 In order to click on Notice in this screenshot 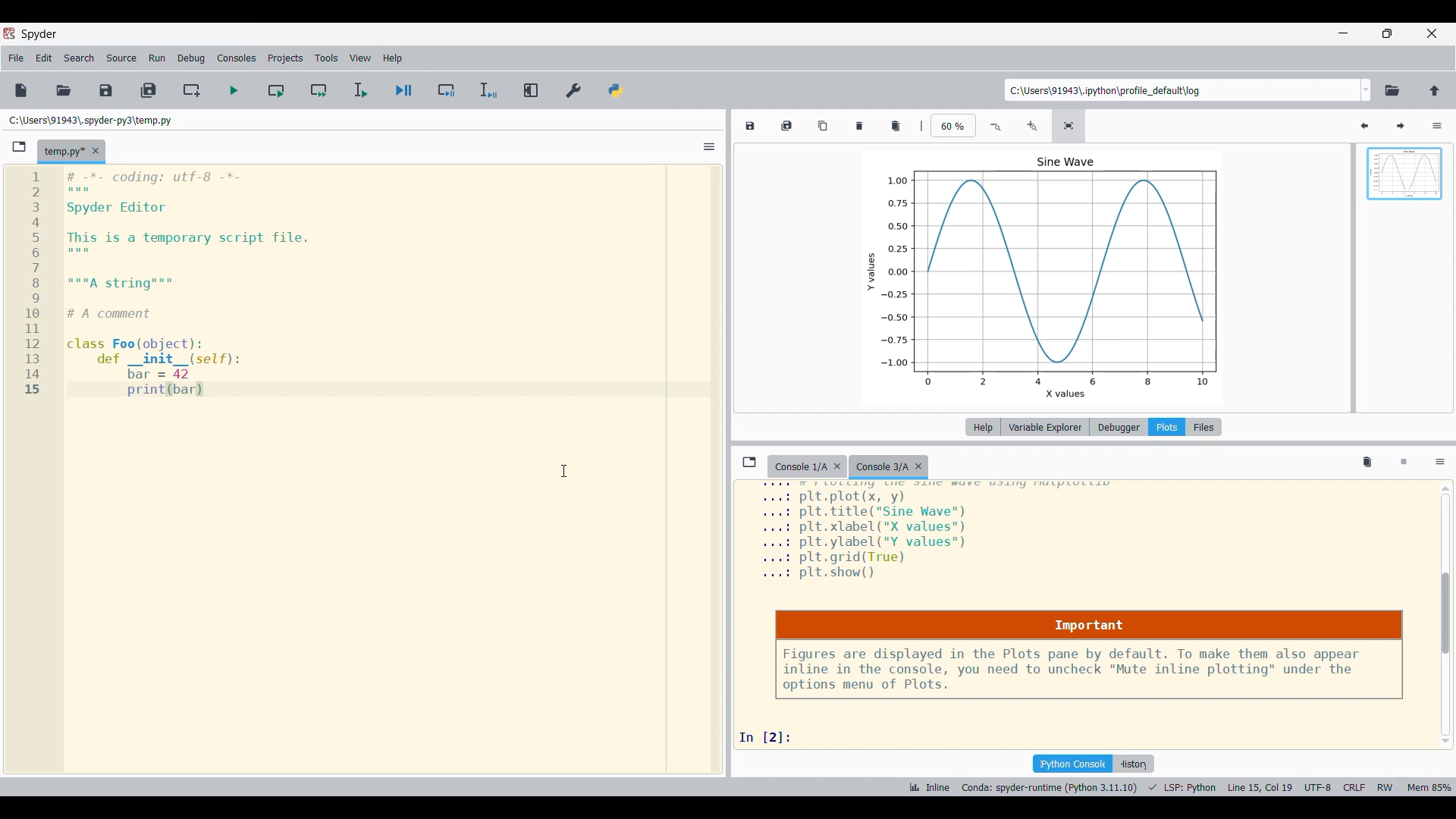, I will do `click(1089, 655)`.